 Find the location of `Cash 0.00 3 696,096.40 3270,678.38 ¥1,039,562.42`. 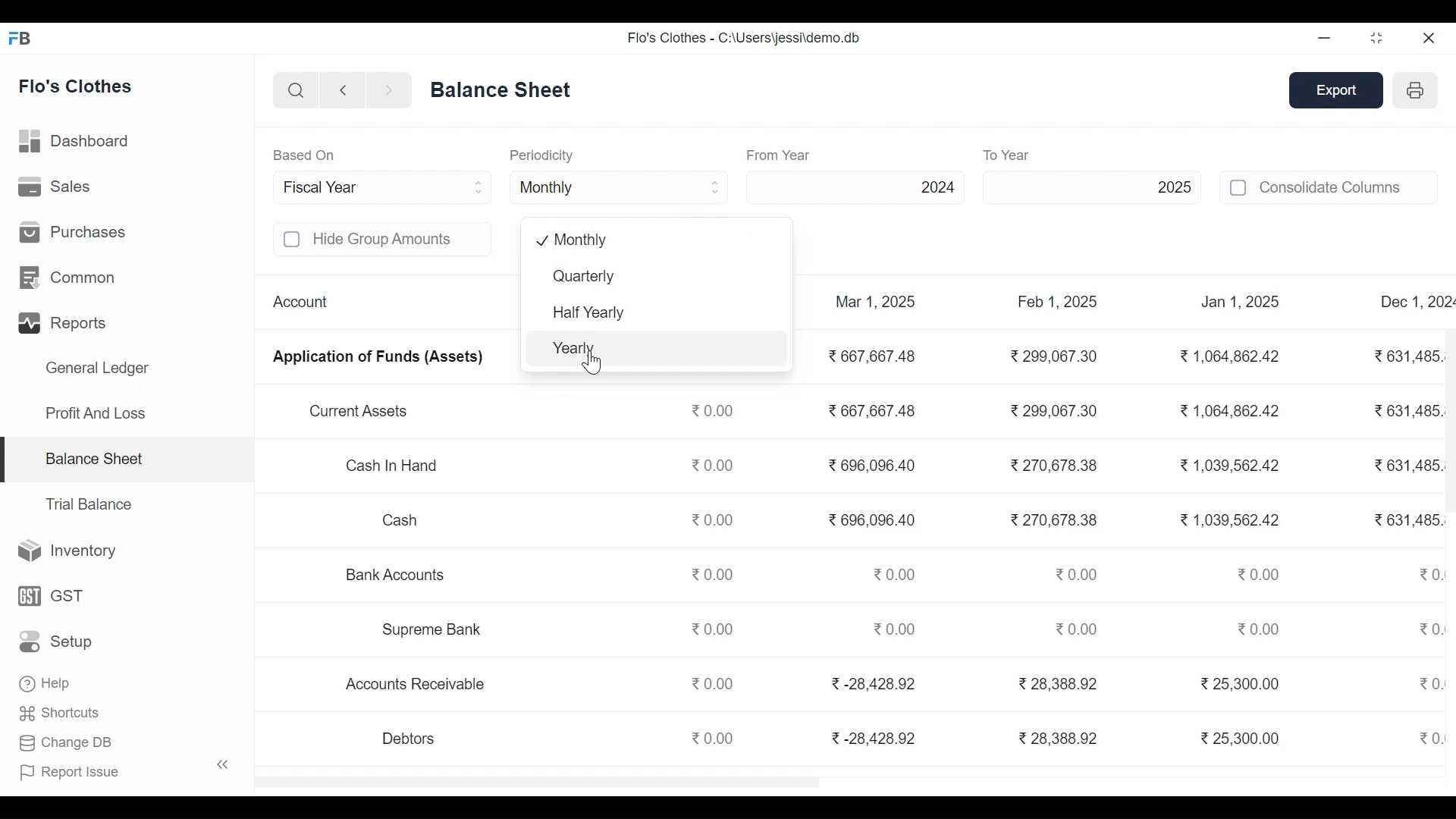

Cash 0.00 3 696,096.40 3270,678.38 ¥1,039,562.42 is located at coordinates (845, 521).